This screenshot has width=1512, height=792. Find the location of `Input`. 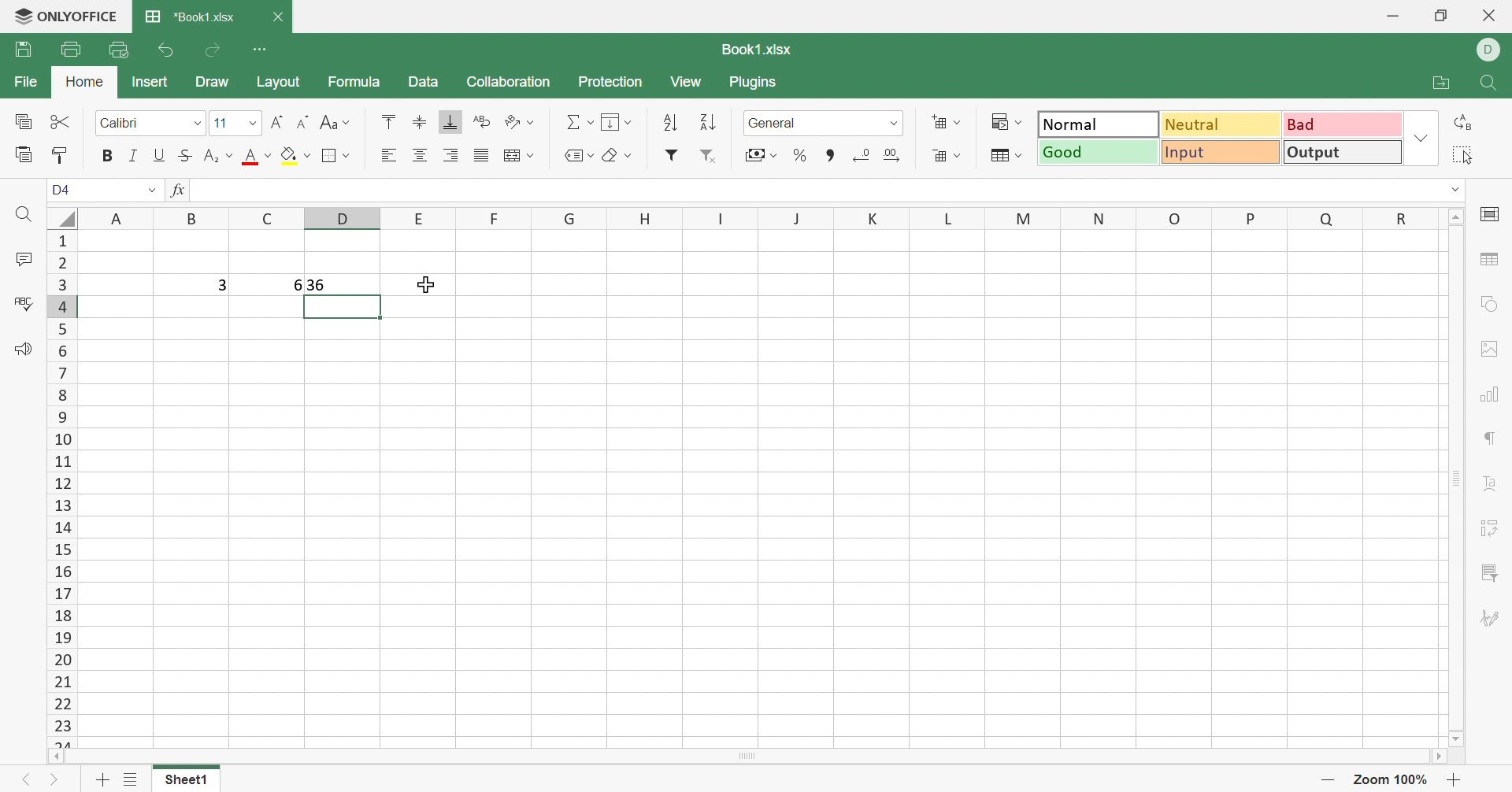

Input is located at coordinates (1220, 151).